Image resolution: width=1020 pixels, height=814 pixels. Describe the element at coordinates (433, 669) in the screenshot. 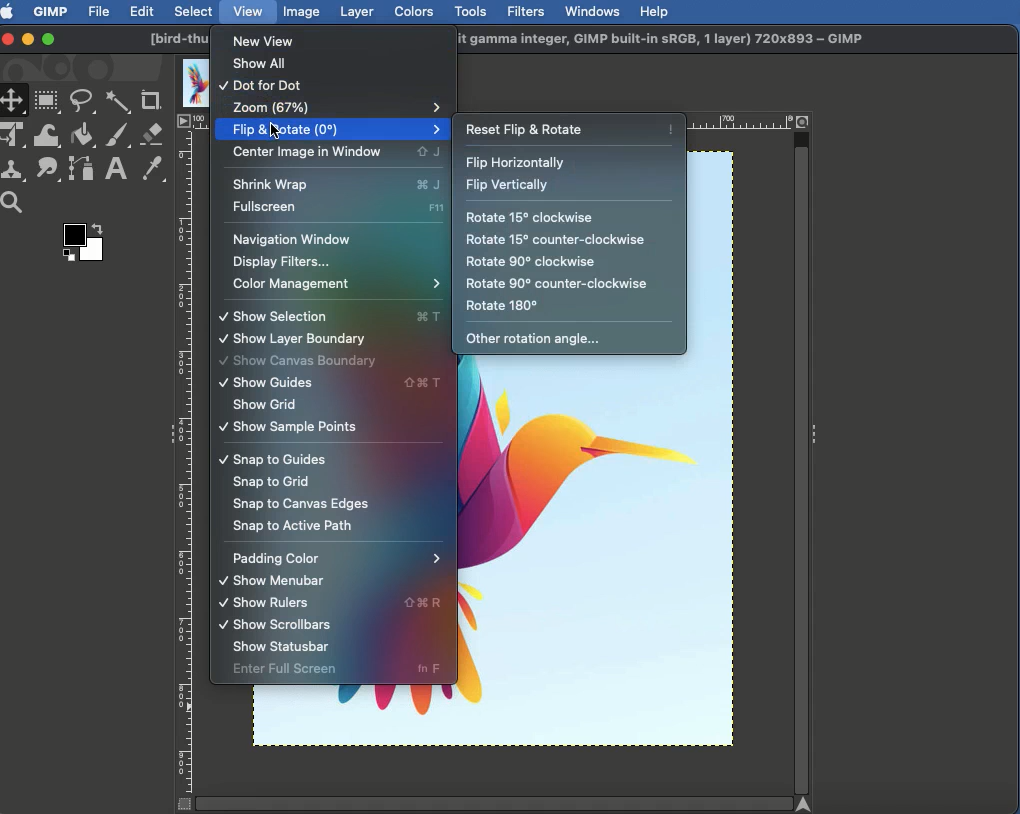

I see `fn F` at that location.